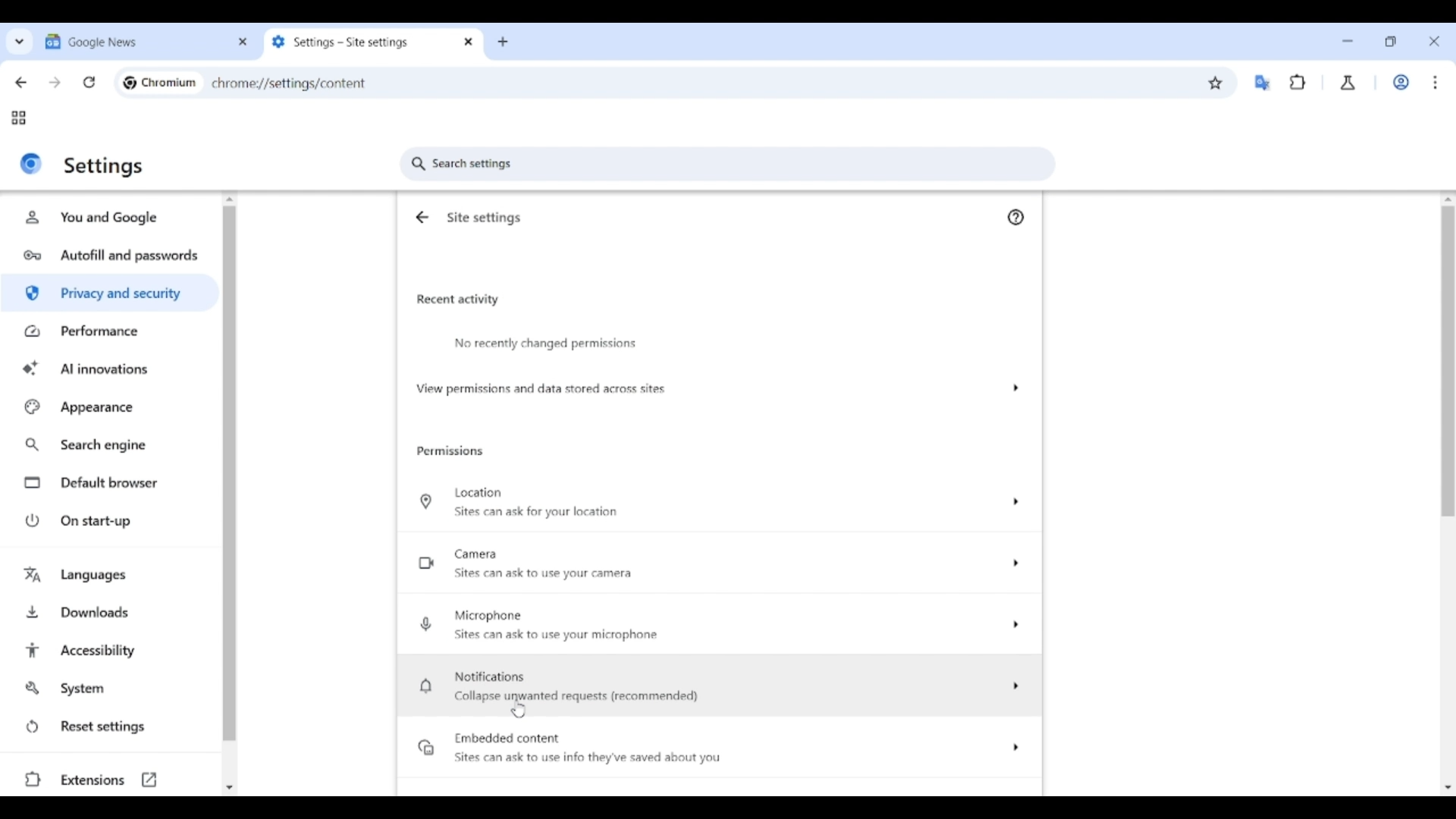 This screenshot has width=1456, height=819. Describe the element at coordinates (775, 83) in the screenshot. I see `Search Google or enter web link` at that location.